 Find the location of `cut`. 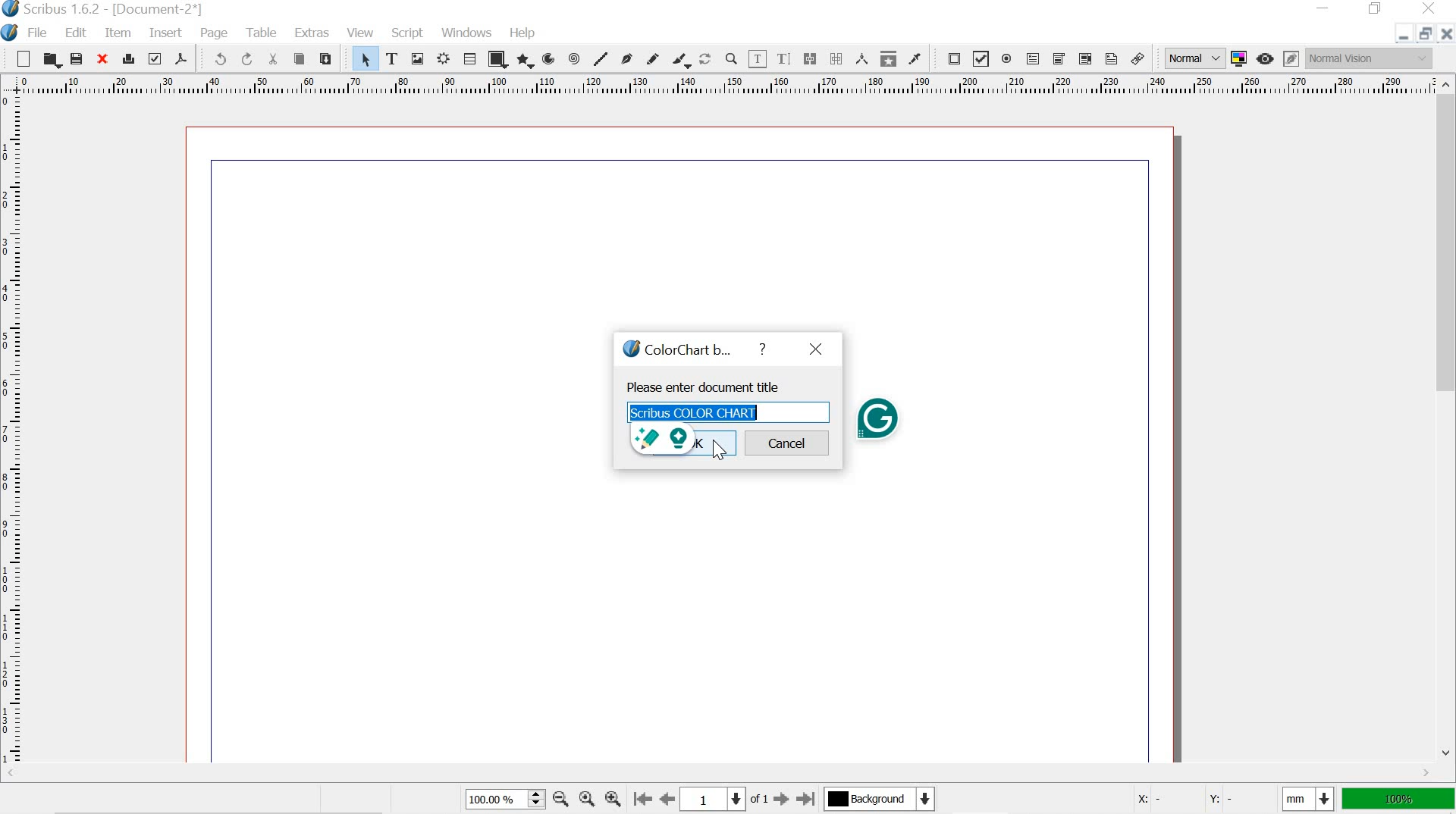

cut is located at coordinates (275, 58).